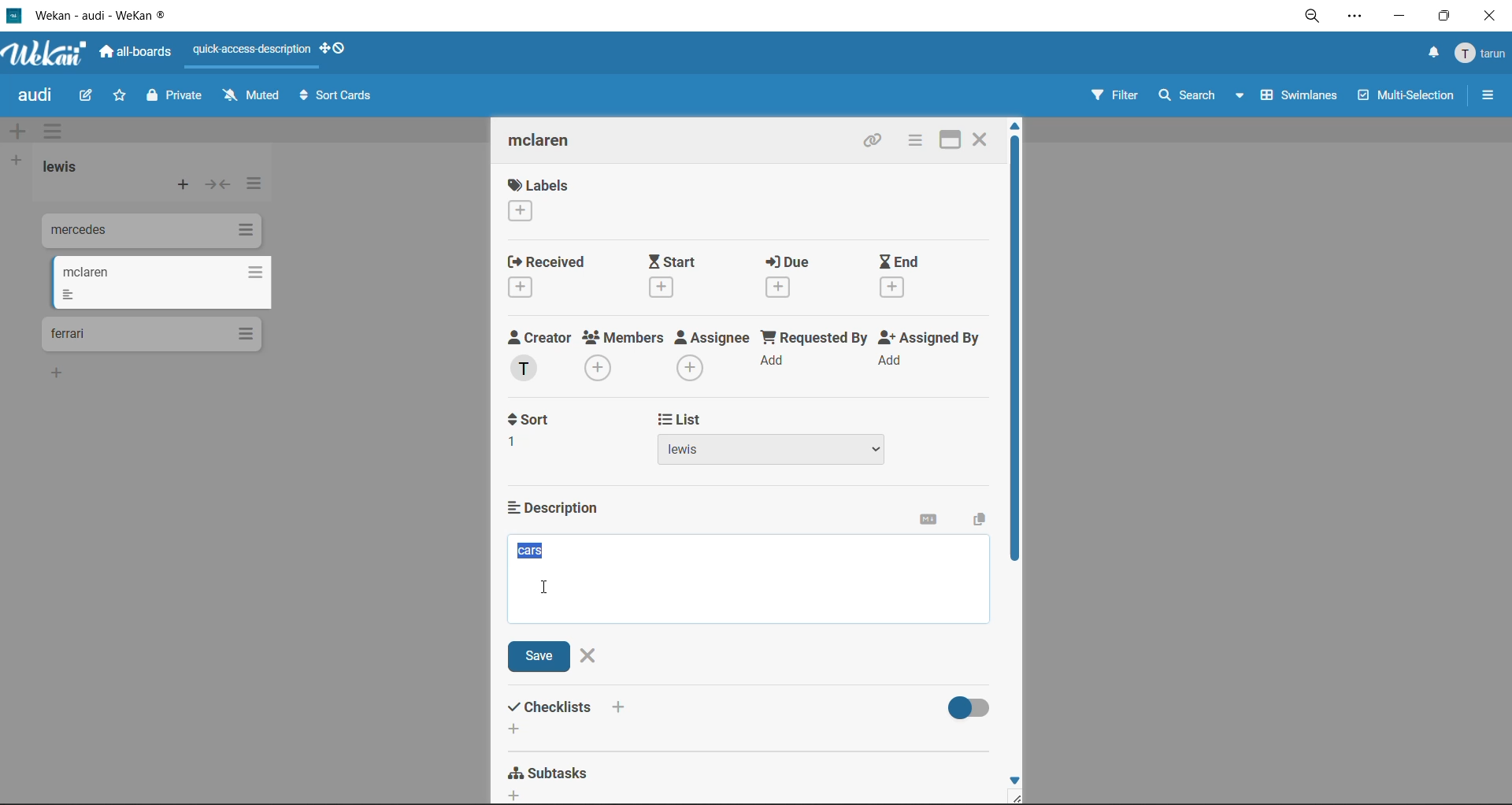  I want to click on sidebar, so click(1488, 95).